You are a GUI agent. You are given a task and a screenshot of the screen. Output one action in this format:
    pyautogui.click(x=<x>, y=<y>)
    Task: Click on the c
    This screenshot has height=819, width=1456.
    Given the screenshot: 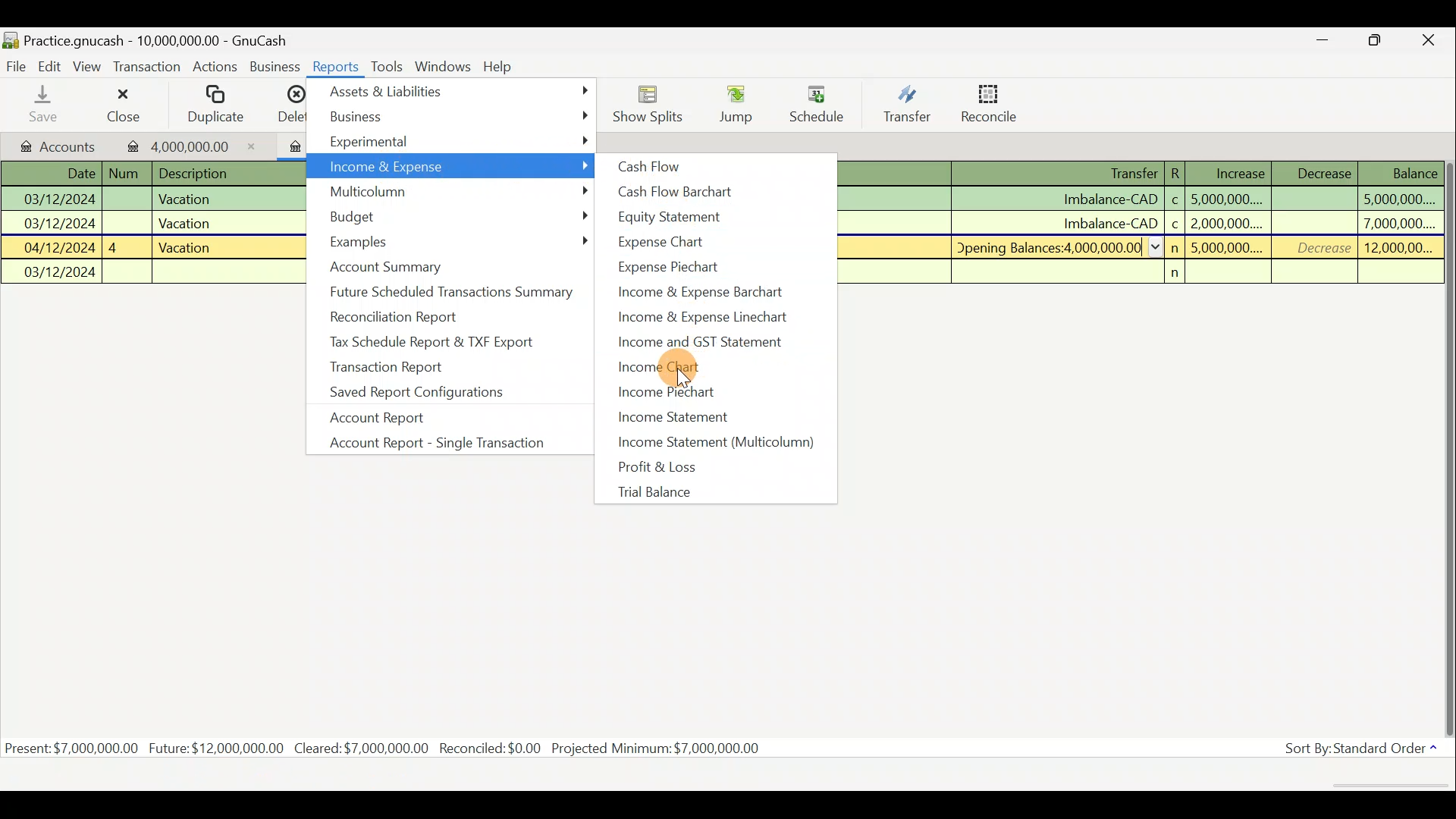 What is the action you would take?
    pyautogui.click(x=1176, y=224)
    